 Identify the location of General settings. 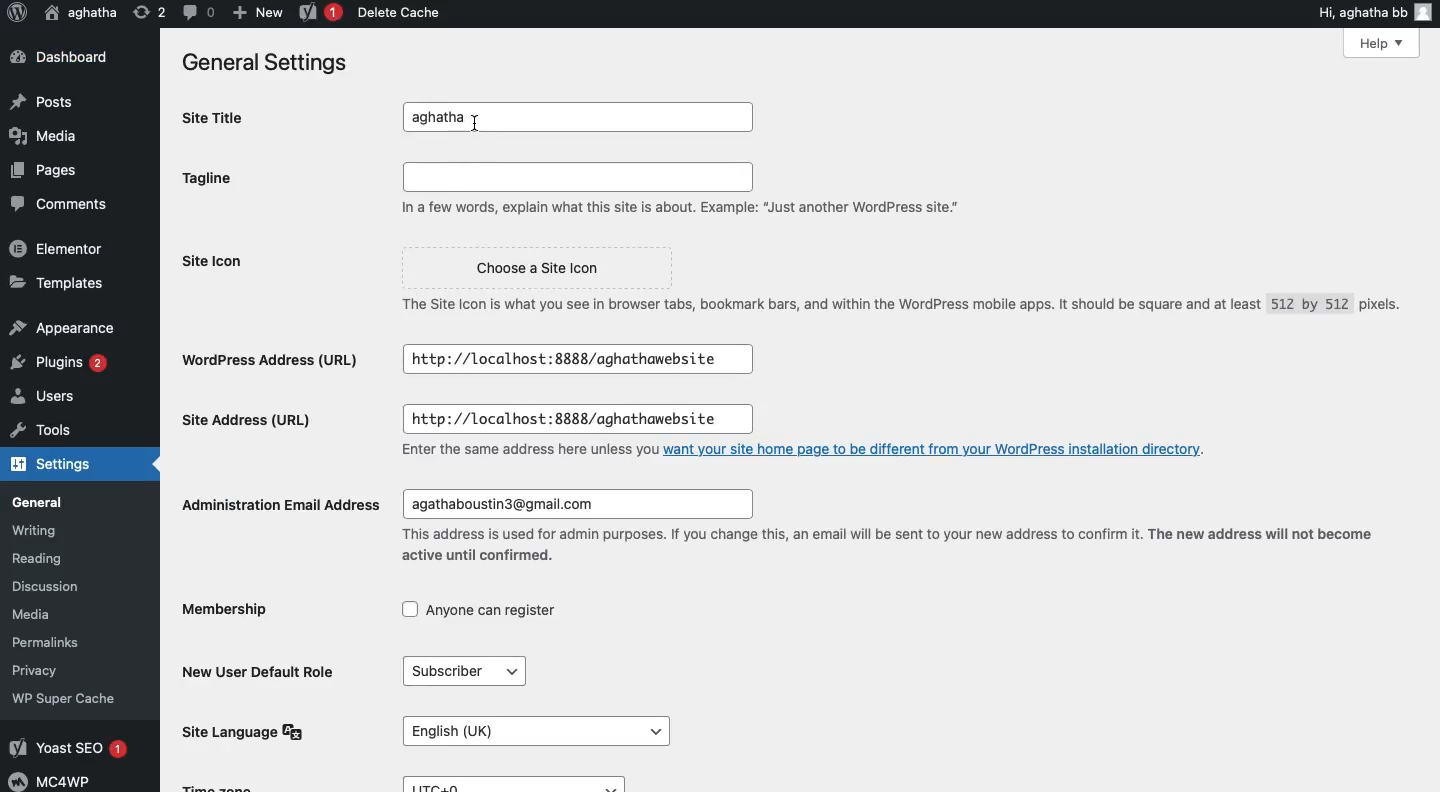
(275, 67).